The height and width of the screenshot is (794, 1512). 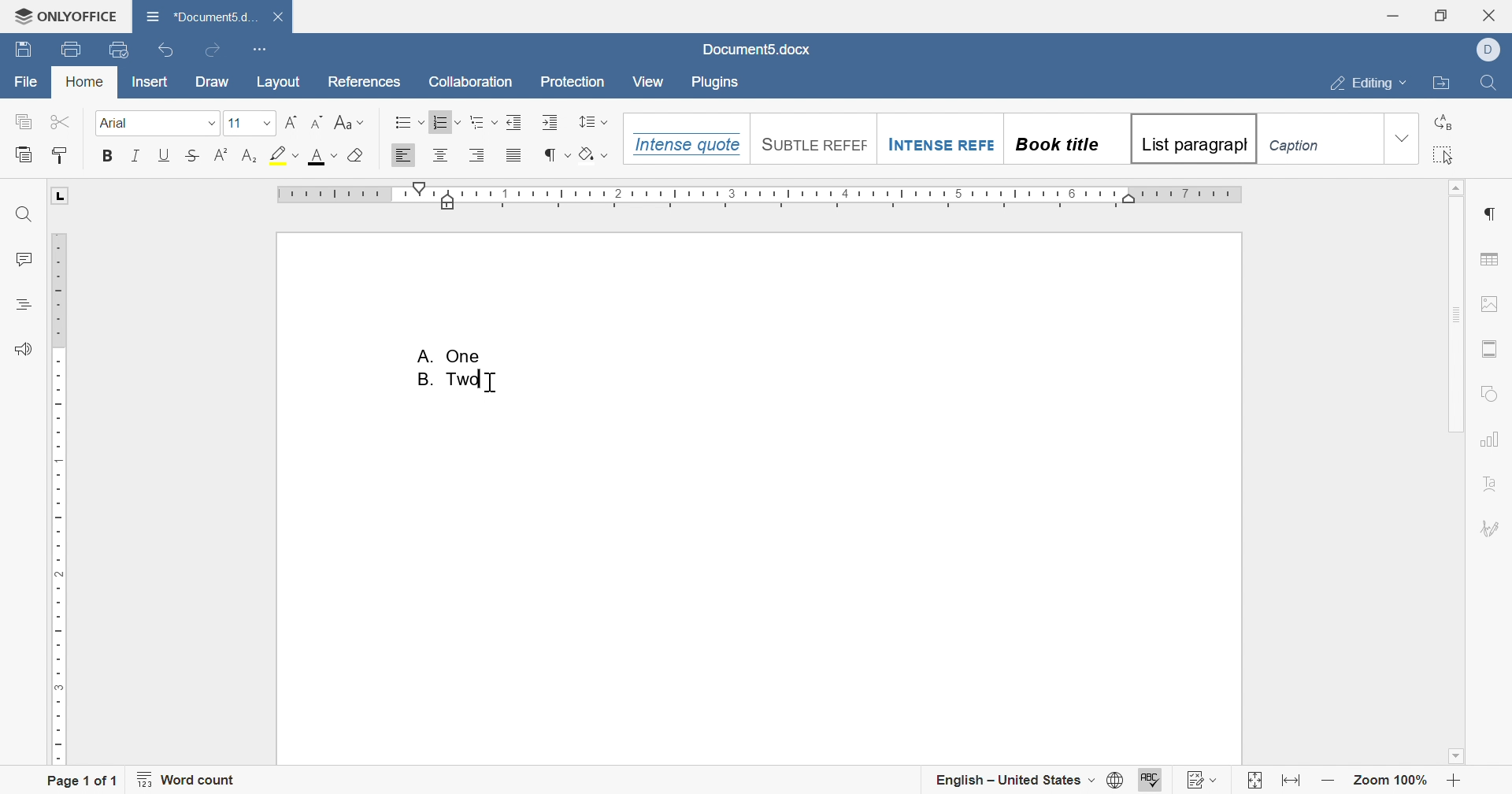 What do you see at coordinates (472, 81) in the screenshot?
I see `Collaboration` at bounding box center [472, 81].